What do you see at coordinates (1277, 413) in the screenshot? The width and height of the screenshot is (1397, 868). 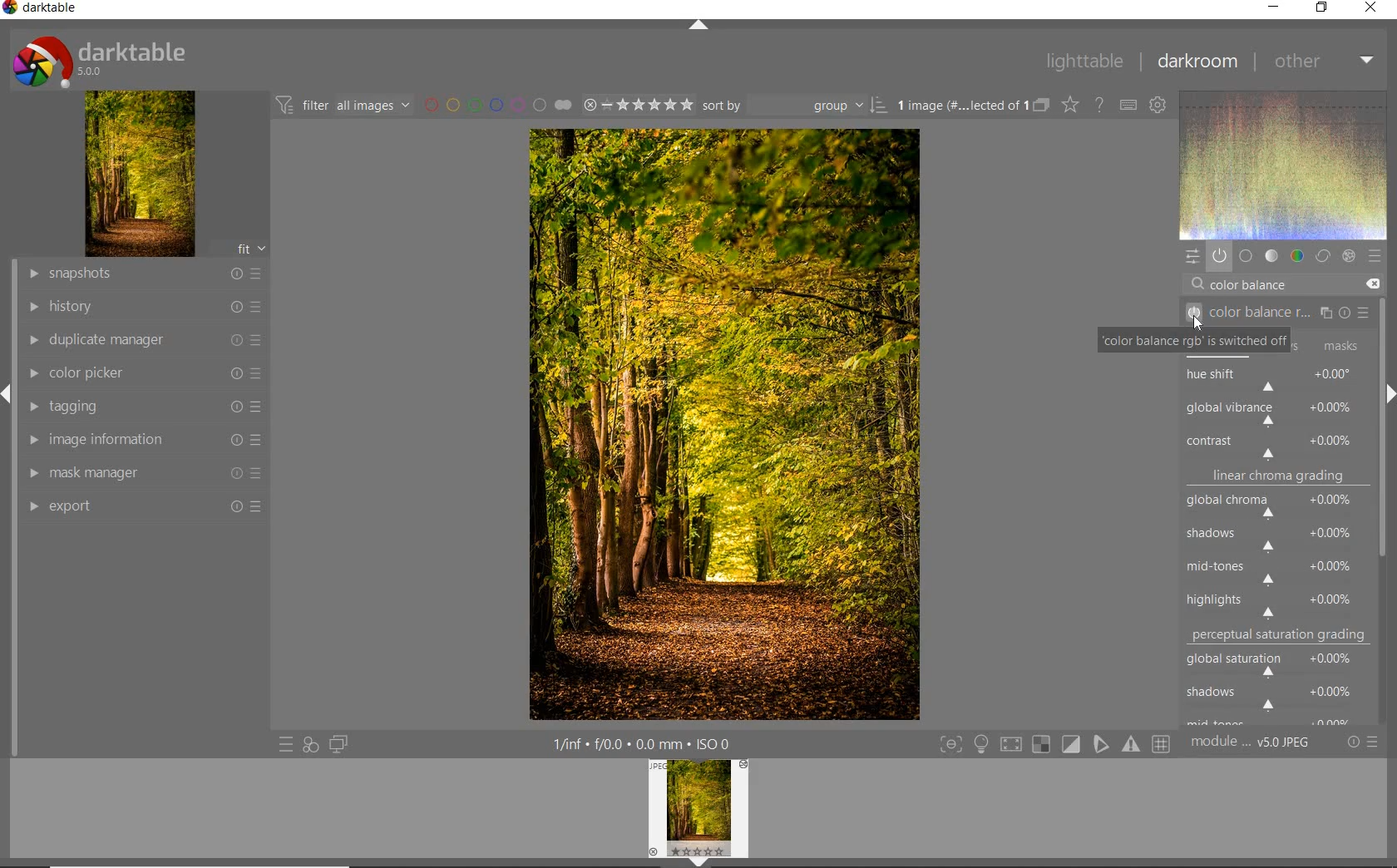 I see `global vibrance` at bounding box center [1277, 413].